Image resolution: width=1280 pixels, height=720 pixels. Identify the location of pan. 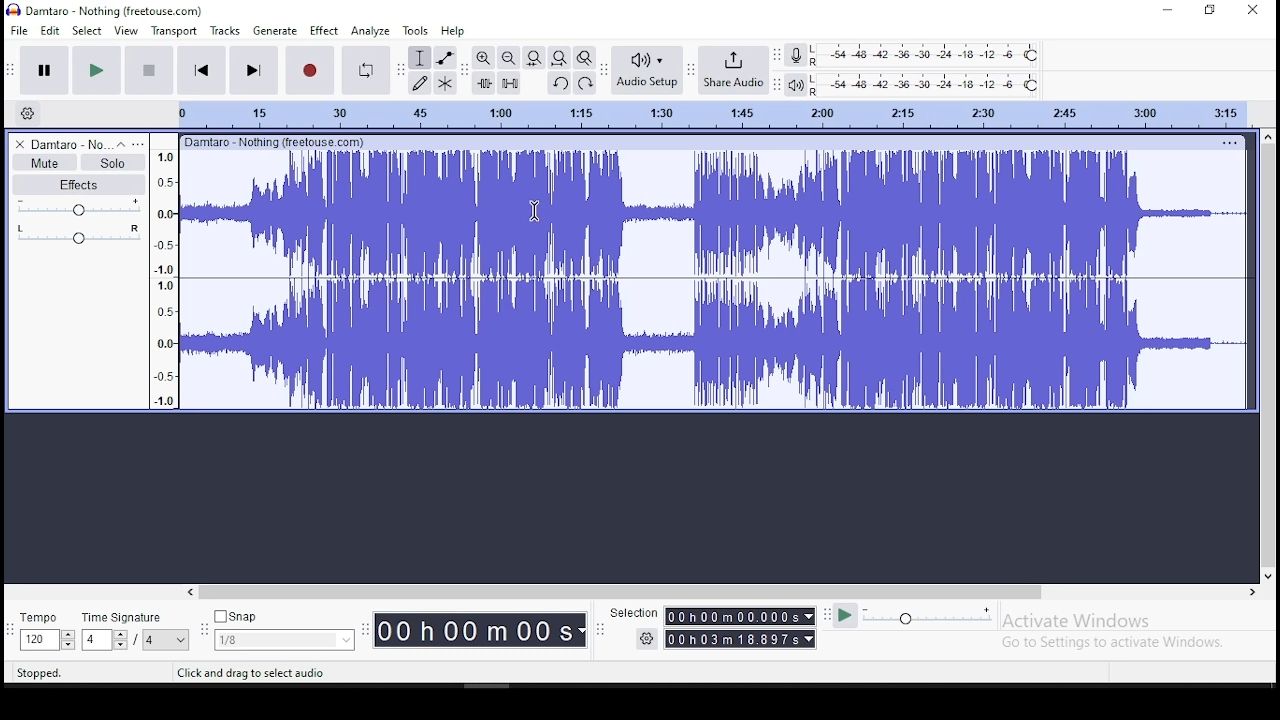
(78, 233).